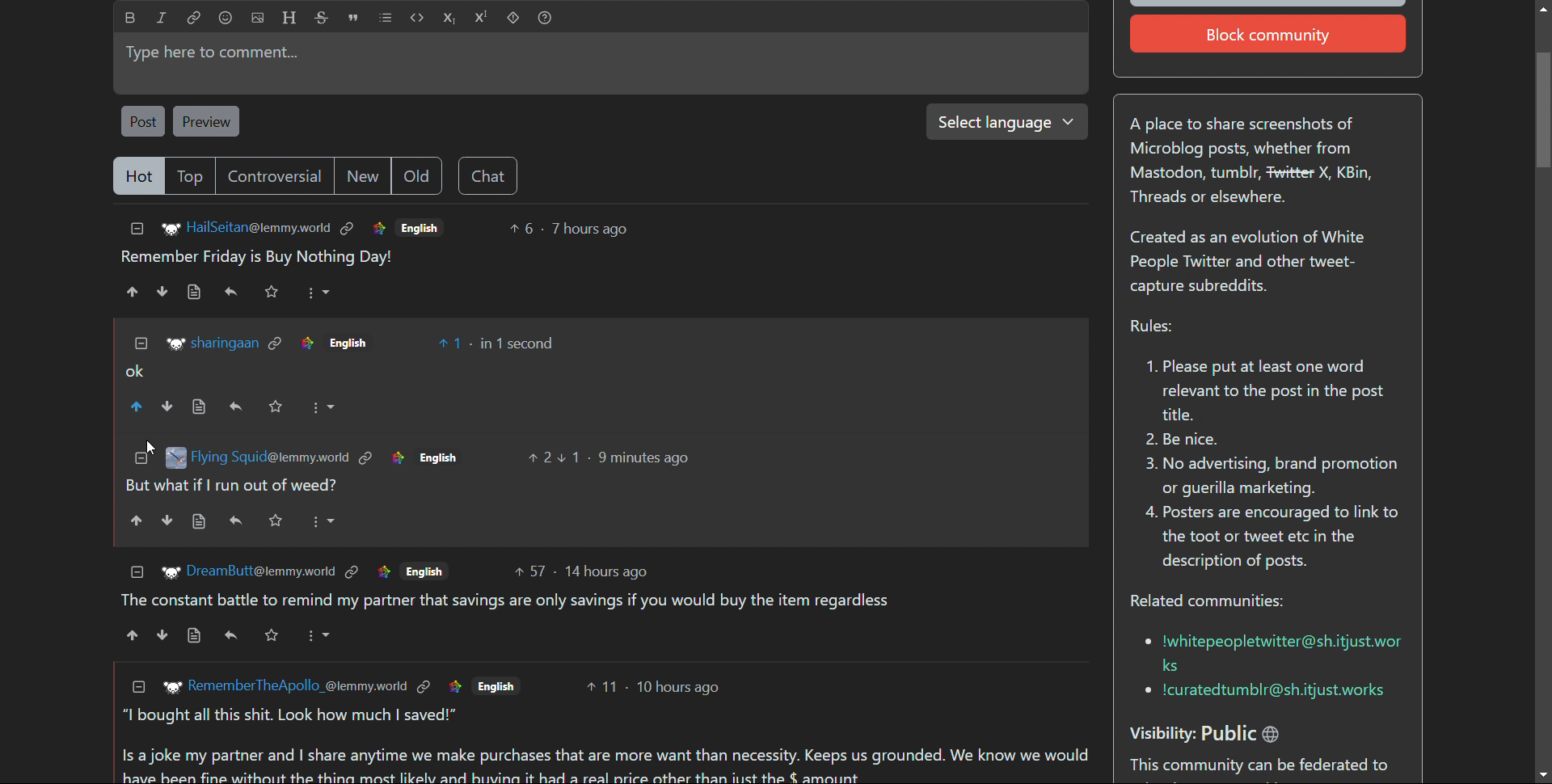 Image resolution: width=1552 pixels, height=784 pixels. What do you see at coordinates (324, 519) in the screenshot?
I see `More` at bounding box center [324, 519].